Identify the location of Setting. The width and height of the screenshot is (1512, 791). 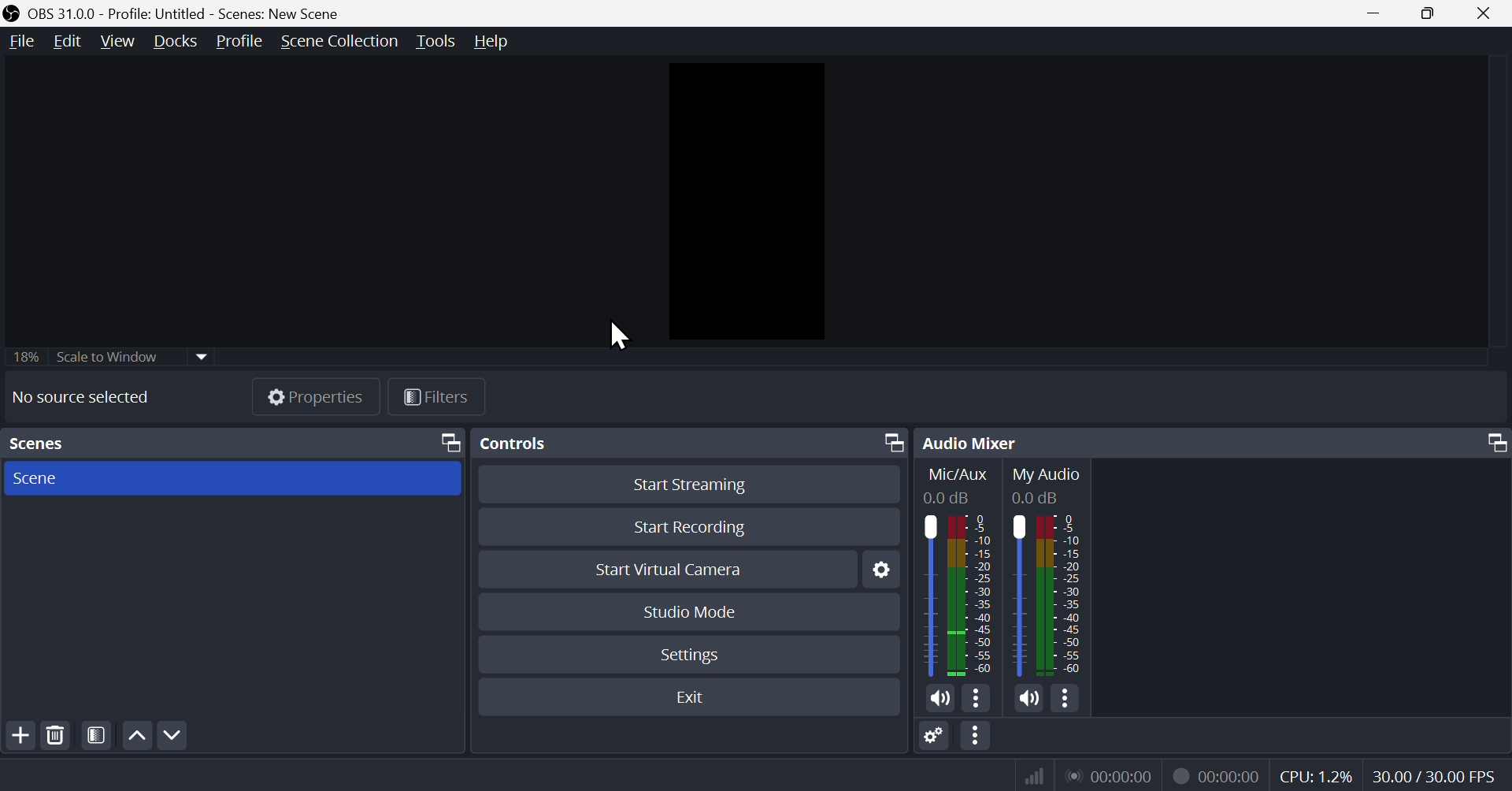
(935, 738).